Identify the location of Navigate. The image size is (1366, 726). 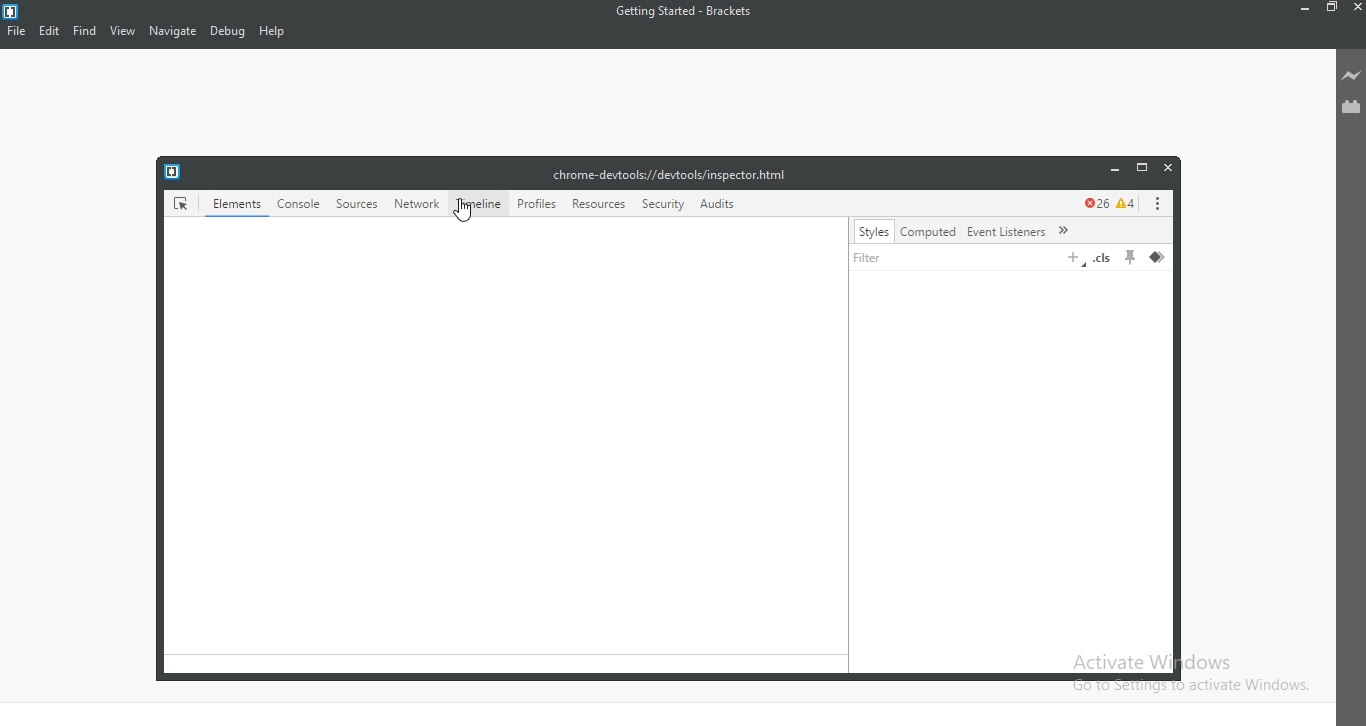
(173, 32).